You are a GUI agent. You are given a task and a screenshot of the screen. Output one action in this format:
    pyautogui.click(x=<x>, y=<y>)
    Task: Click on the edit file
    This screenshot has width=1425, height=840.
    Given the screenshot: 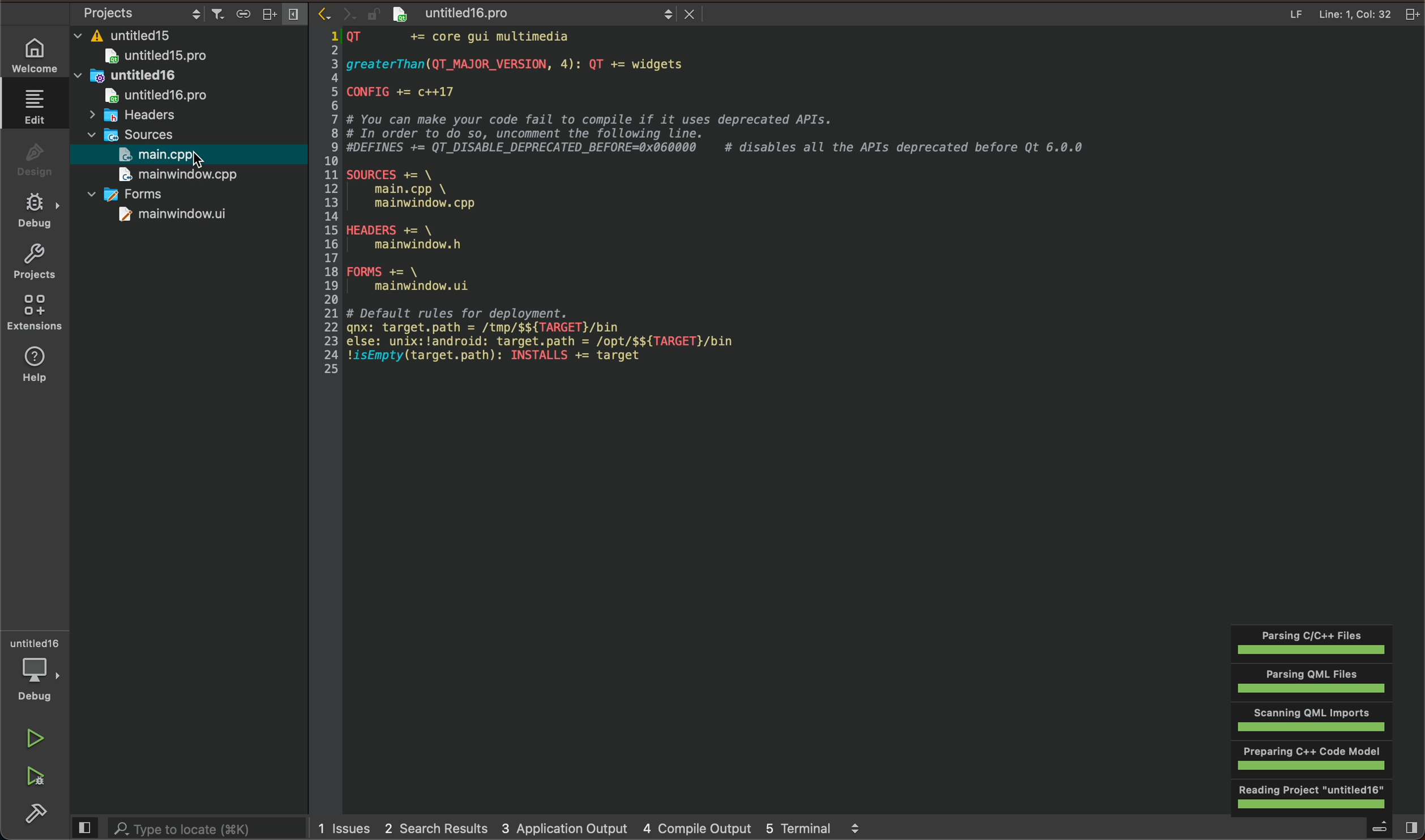 What is the action you would take?
    pyautogui.click(x=36, y=107)
    